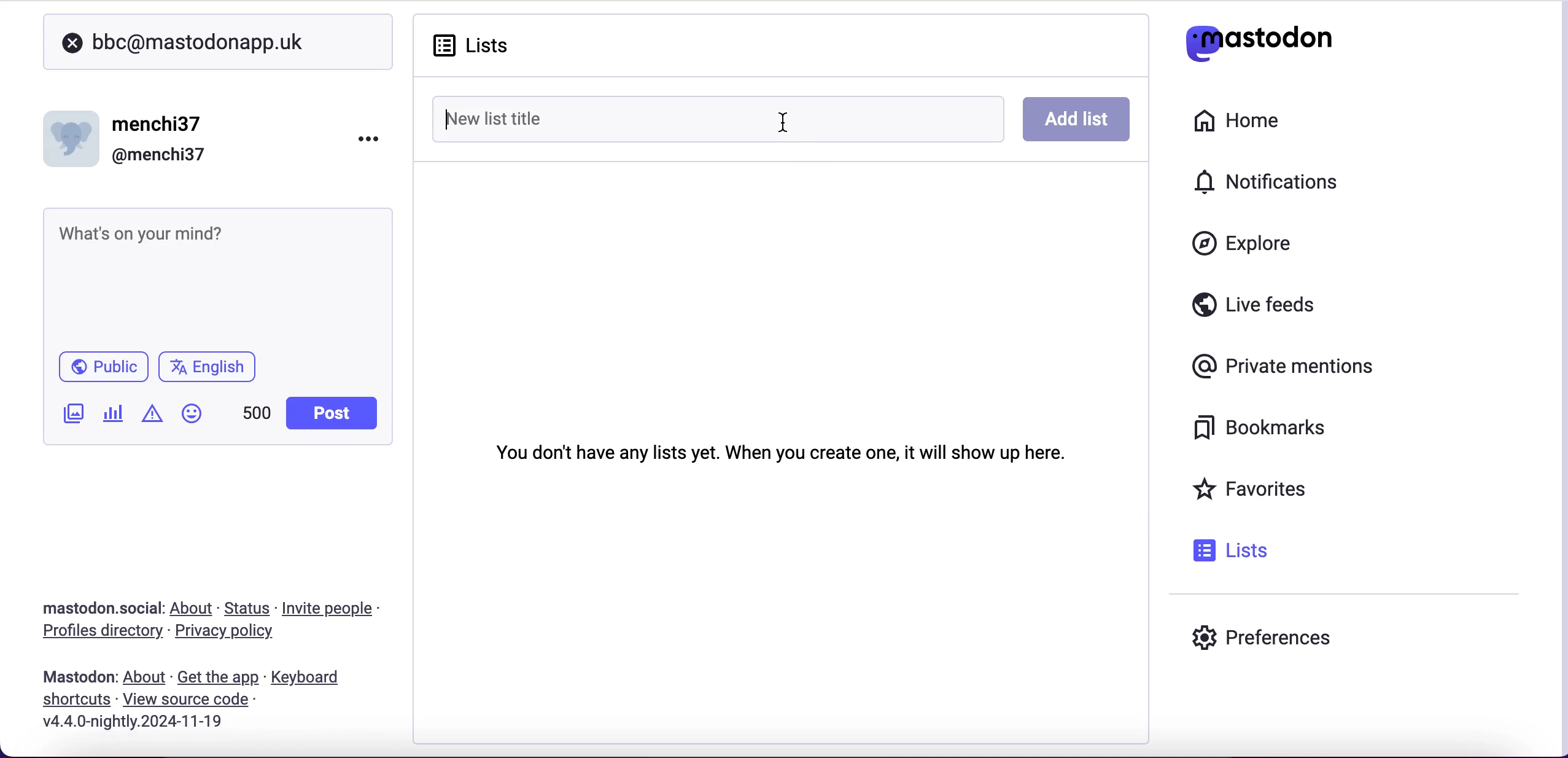  What do you see at coordinates (102, 370) in the screenshot?
I see `public` at bounding box center [102, 370].